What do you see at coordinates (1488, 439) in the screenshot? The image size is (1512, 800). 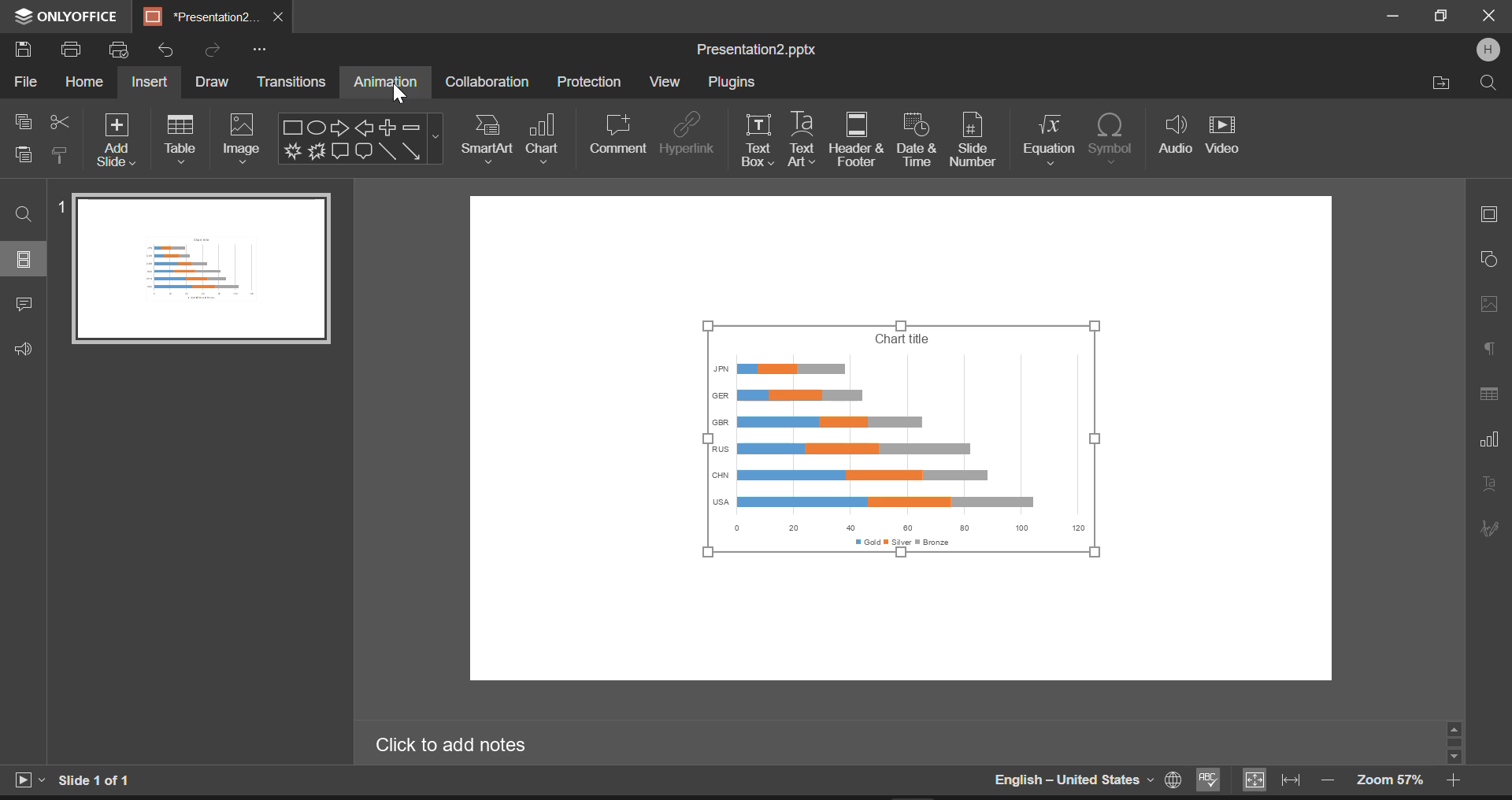 I see `Chart Settings` at bounding box center [1488, 439].